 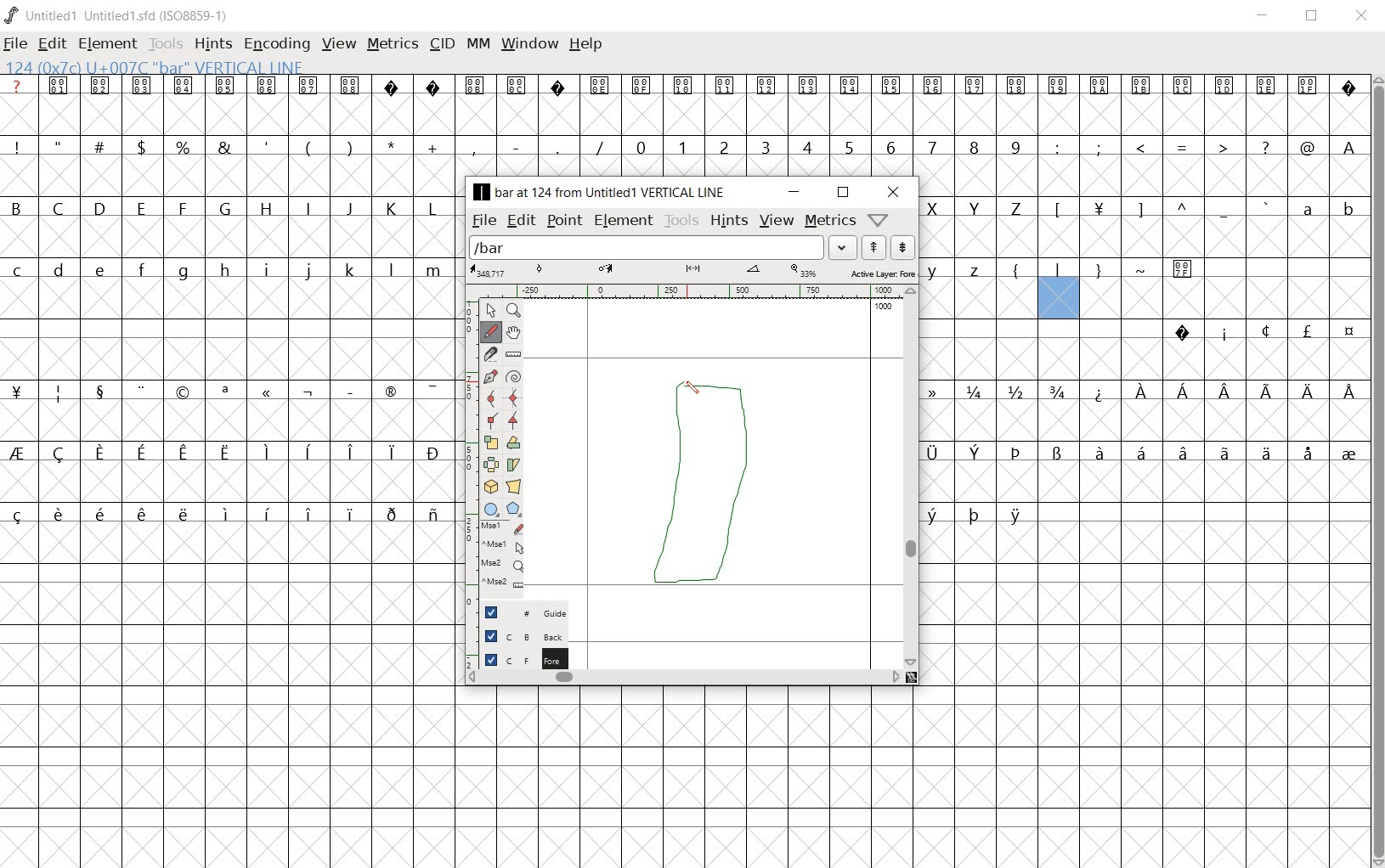 What do you see at coordinates (694, 388) in the screenshot?
I see `cursor` at bounding box center [694, 388].